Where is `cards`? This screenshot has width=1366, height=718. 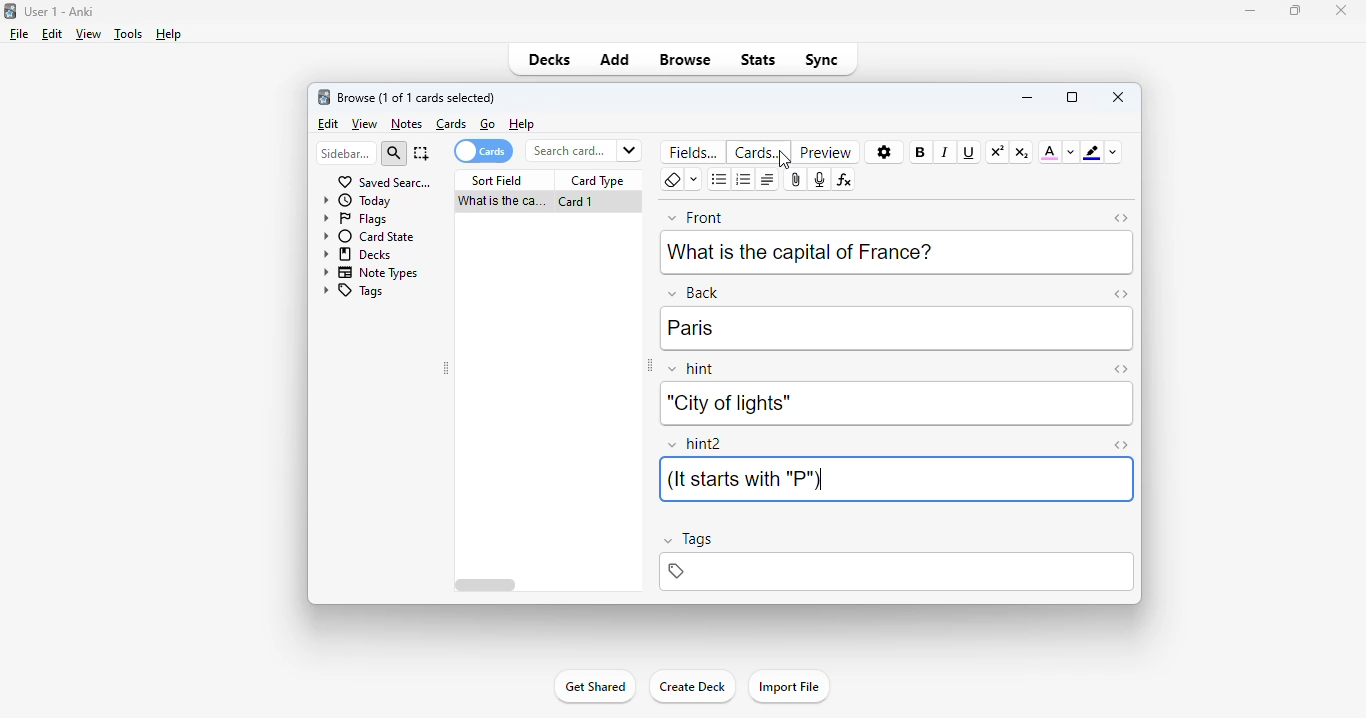
cards is located at coordinates (482, 151).